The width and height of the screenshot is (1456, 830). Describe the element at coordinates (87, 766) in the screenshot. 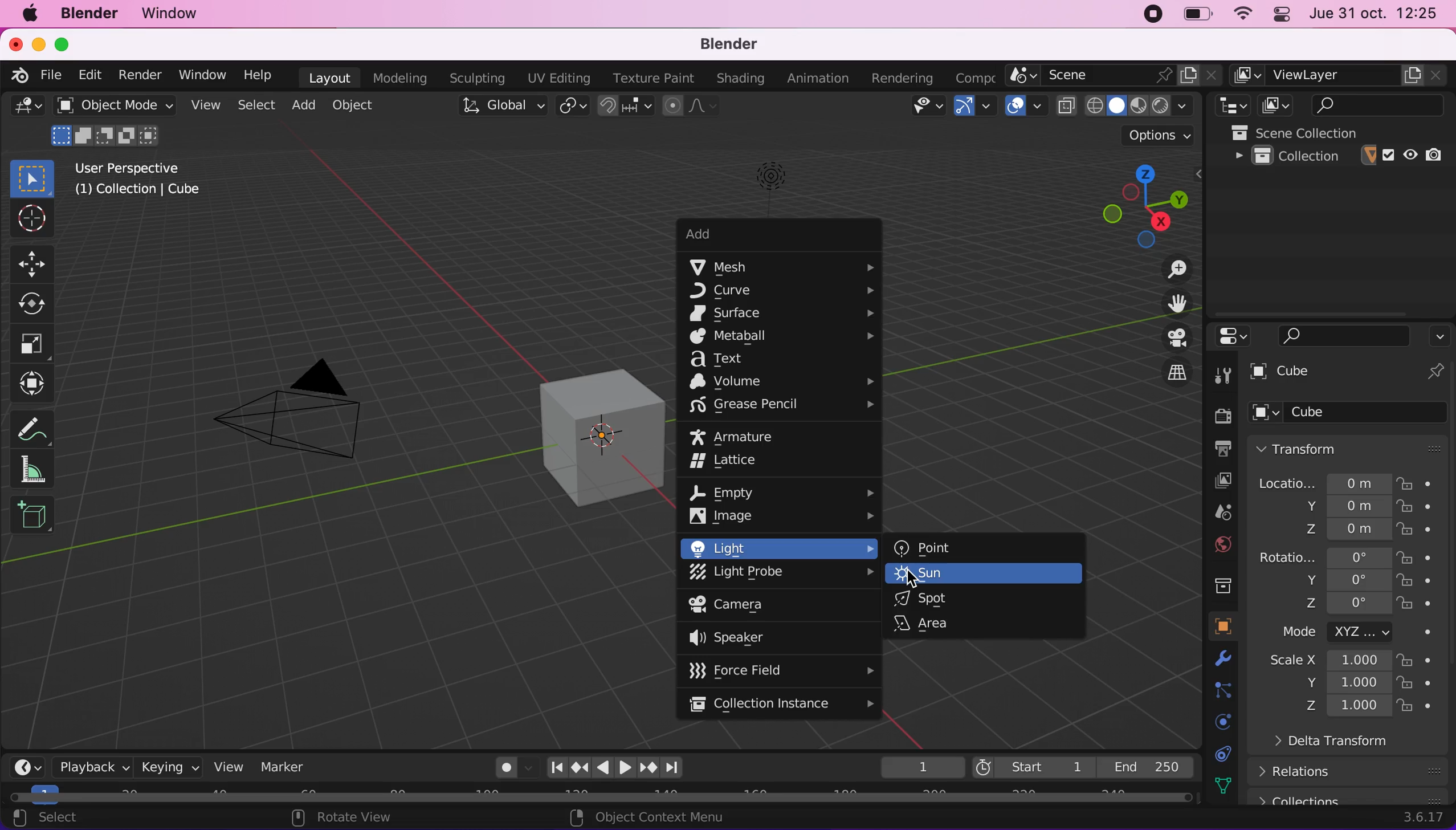

I see `playback` at that location.